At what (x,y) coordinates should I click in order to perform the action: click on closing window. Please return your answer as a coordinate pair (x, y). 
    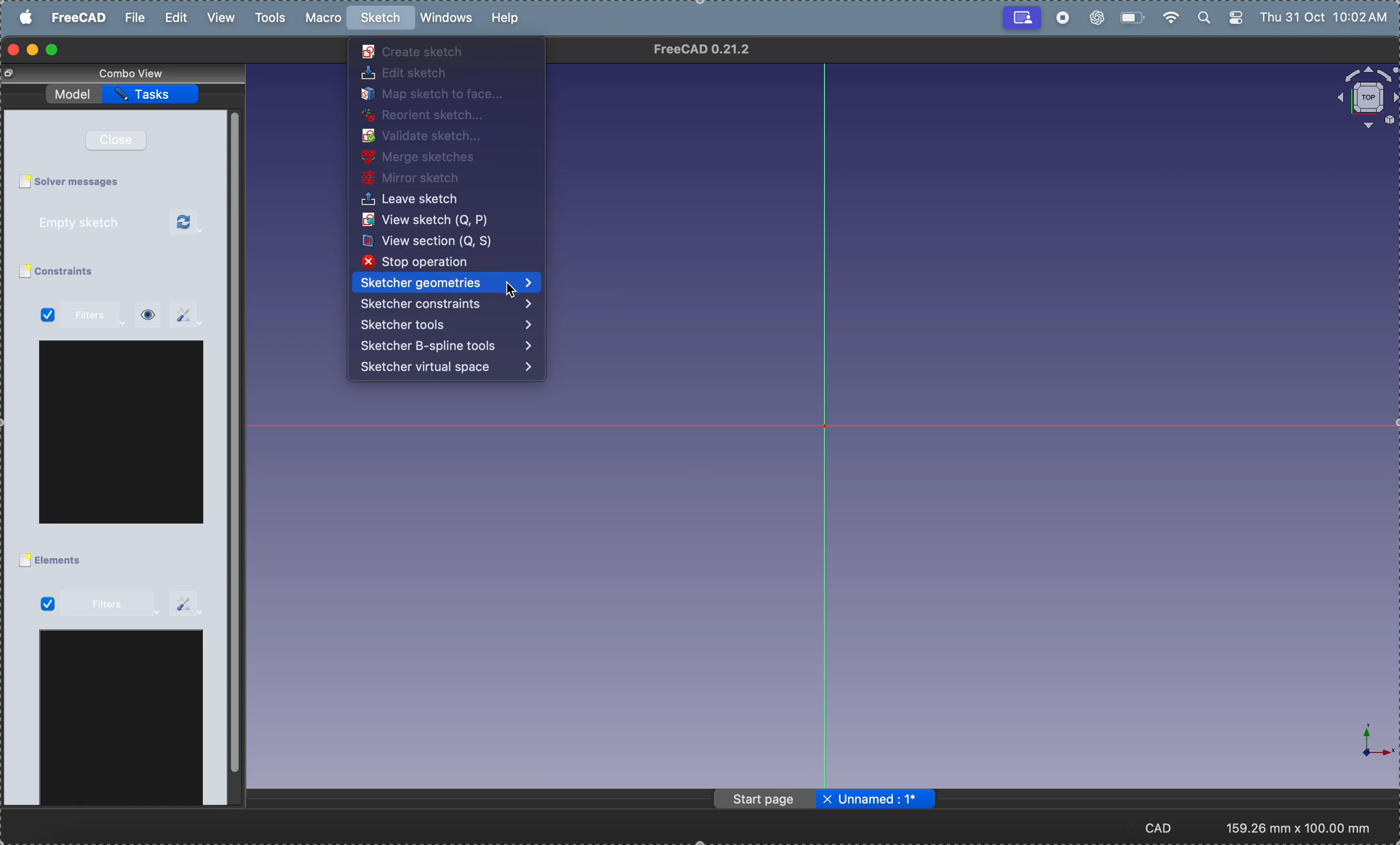
    Looking at the image, I should click on (14, 50).